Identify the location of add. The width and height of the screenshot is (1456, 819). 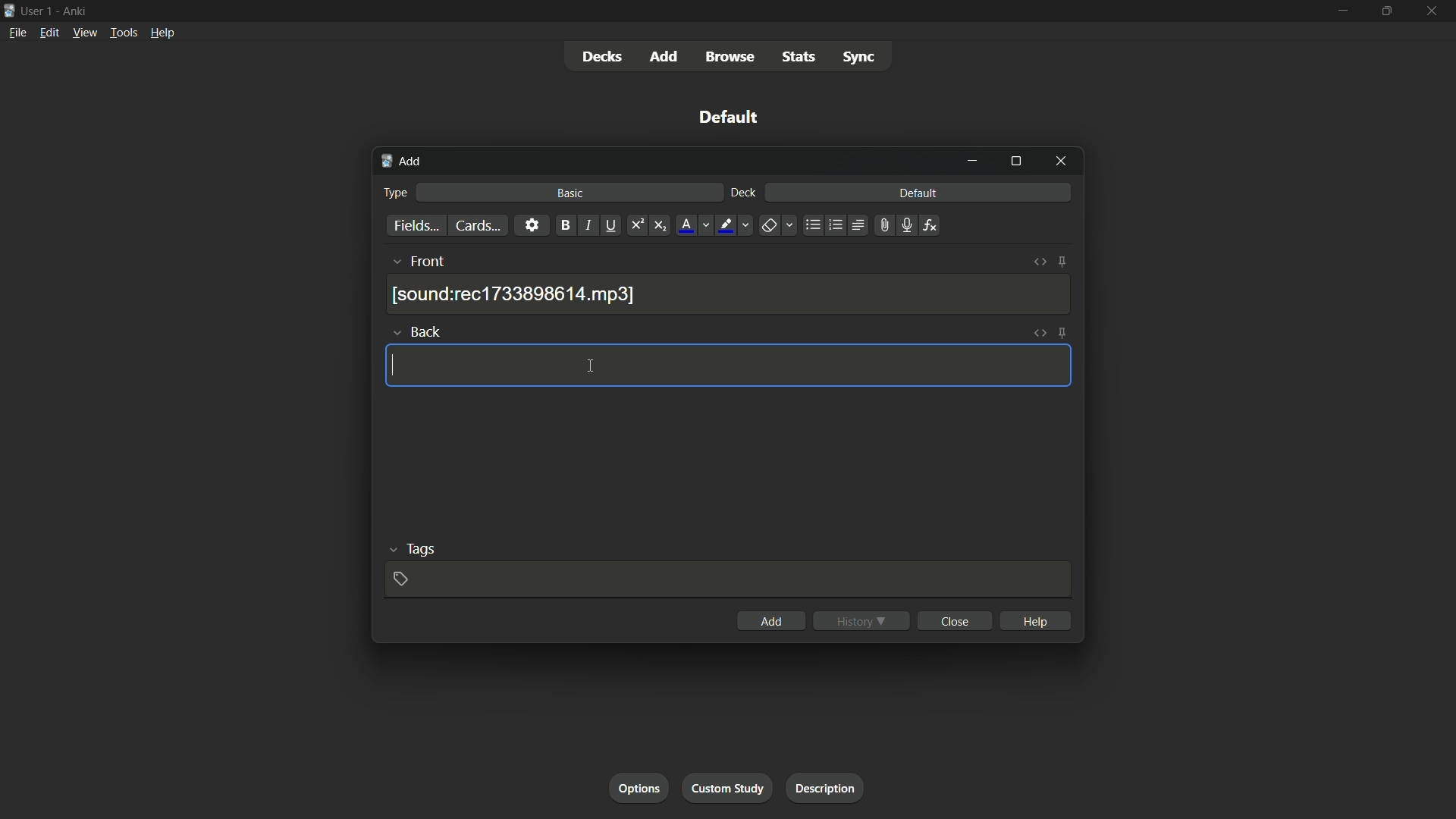
(401, 162).